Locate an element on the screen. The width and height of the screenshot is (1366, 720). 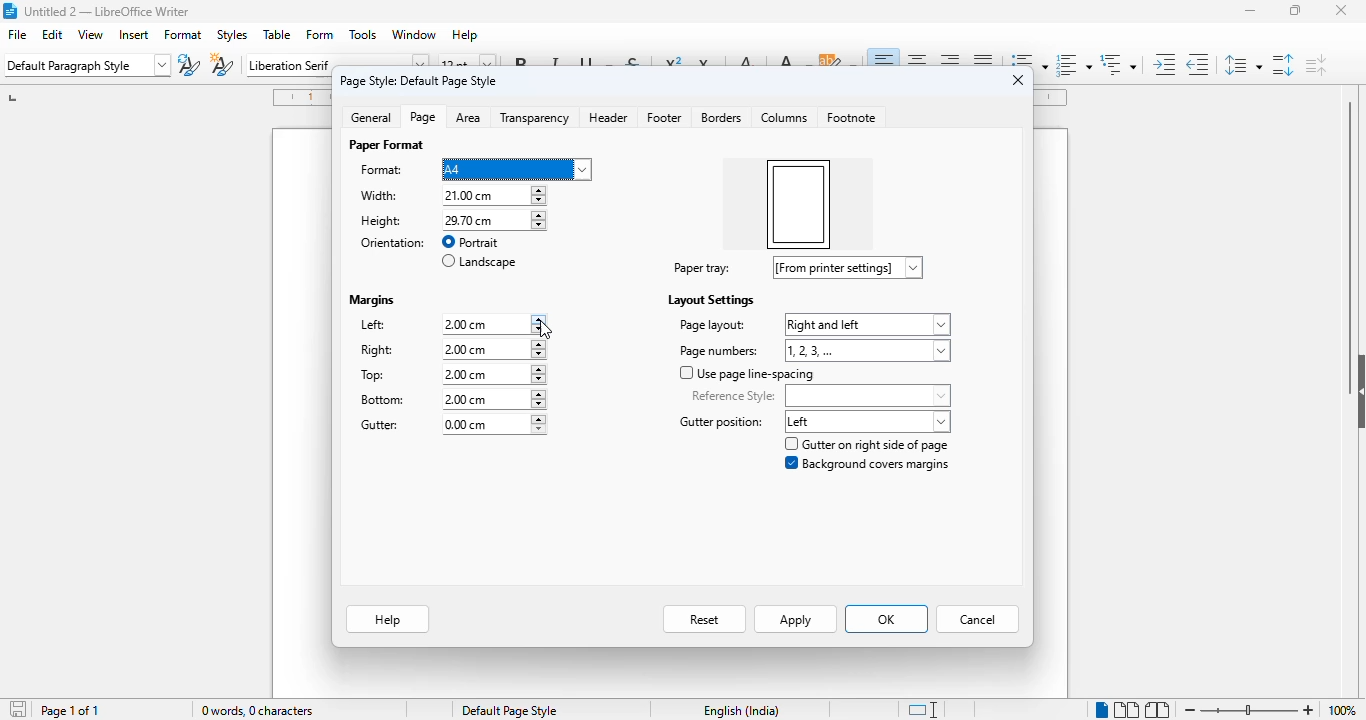
left margin input box is located at coordinates (471, 323).